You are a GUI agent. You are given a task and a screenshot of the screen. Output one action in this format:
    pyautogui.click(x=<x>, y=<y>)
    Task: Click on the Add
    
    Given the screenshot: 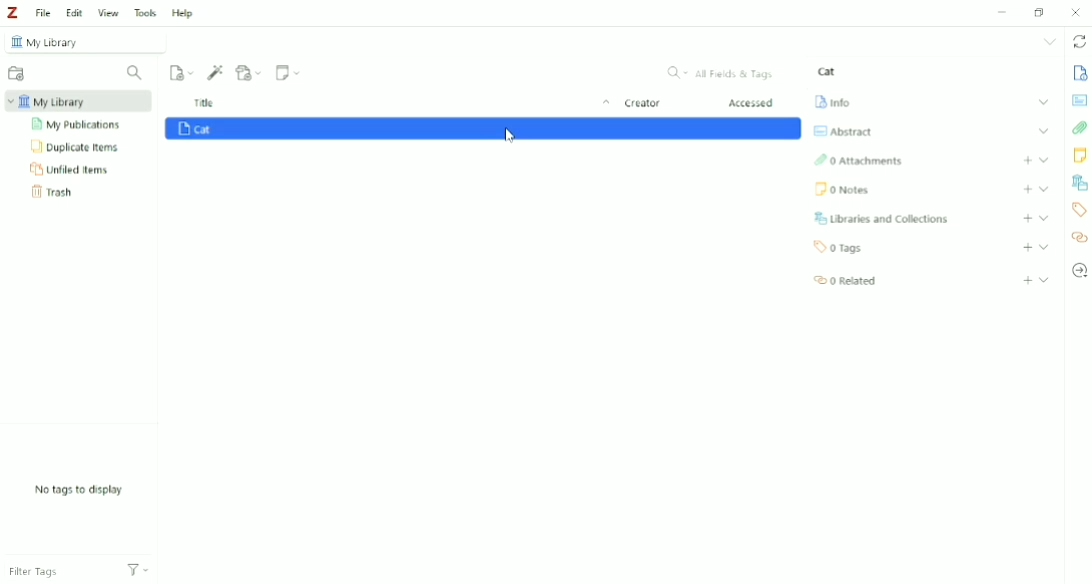 What is the action you would take?
    pyautogui.click(x=1027, y=189)
    